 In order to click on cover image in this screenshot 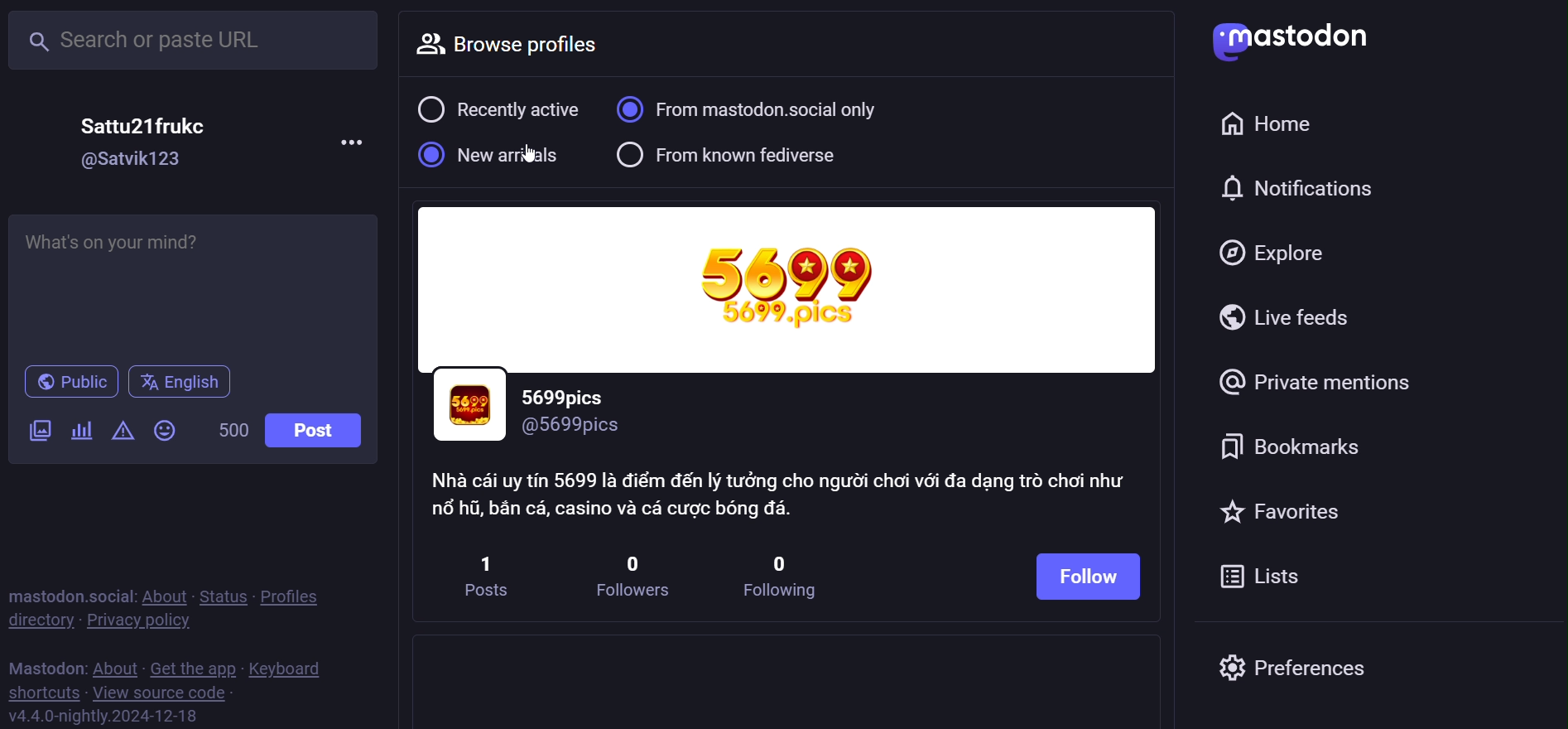, I will do `click(786, 284)`.